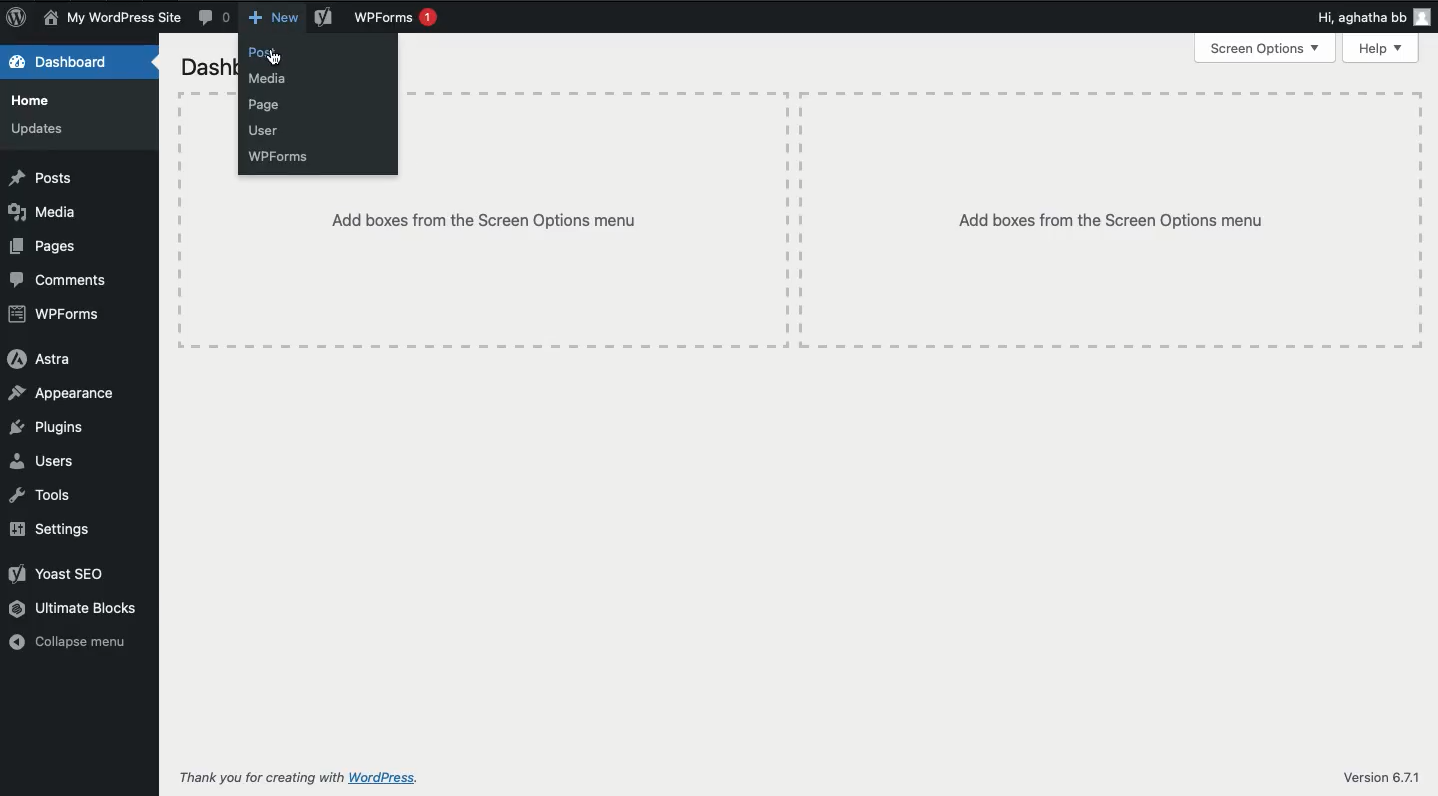  Describe the element at coordinates (274, 59) in the screenshot. I see `Click` at that location.